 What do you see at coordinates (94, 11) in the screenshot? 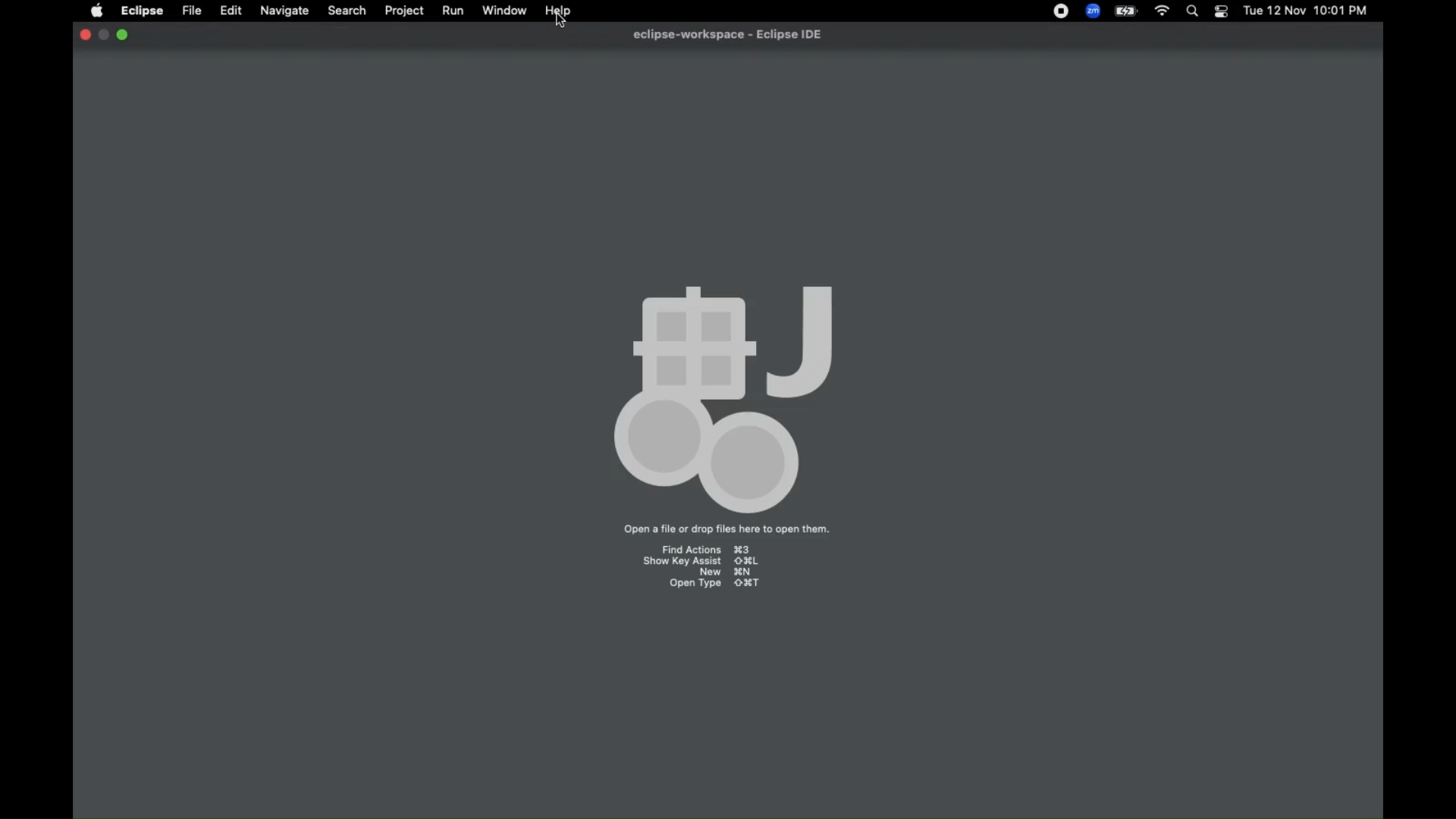
I see `Apple Desktop Icon` at bounding box center [94, 11].